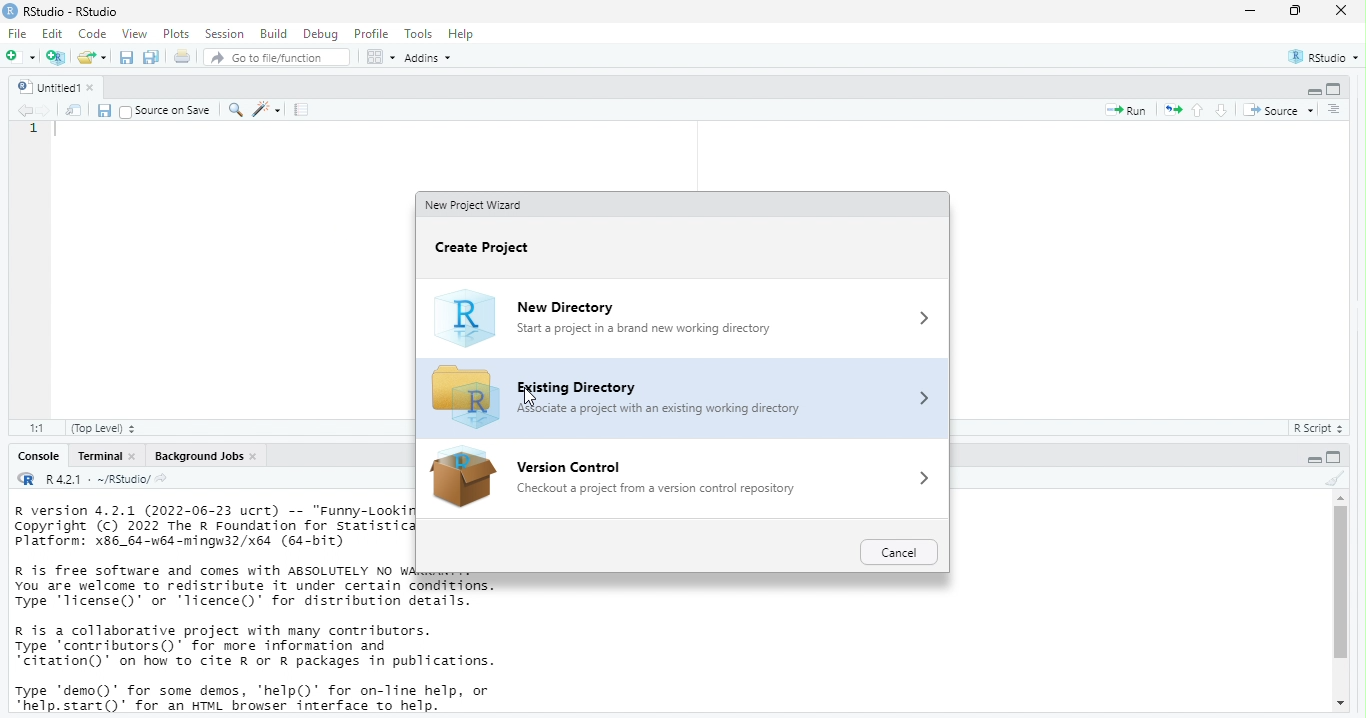  Describe the element at coordinates (164, 111) in the screenshot. I see `source on save` at that location.